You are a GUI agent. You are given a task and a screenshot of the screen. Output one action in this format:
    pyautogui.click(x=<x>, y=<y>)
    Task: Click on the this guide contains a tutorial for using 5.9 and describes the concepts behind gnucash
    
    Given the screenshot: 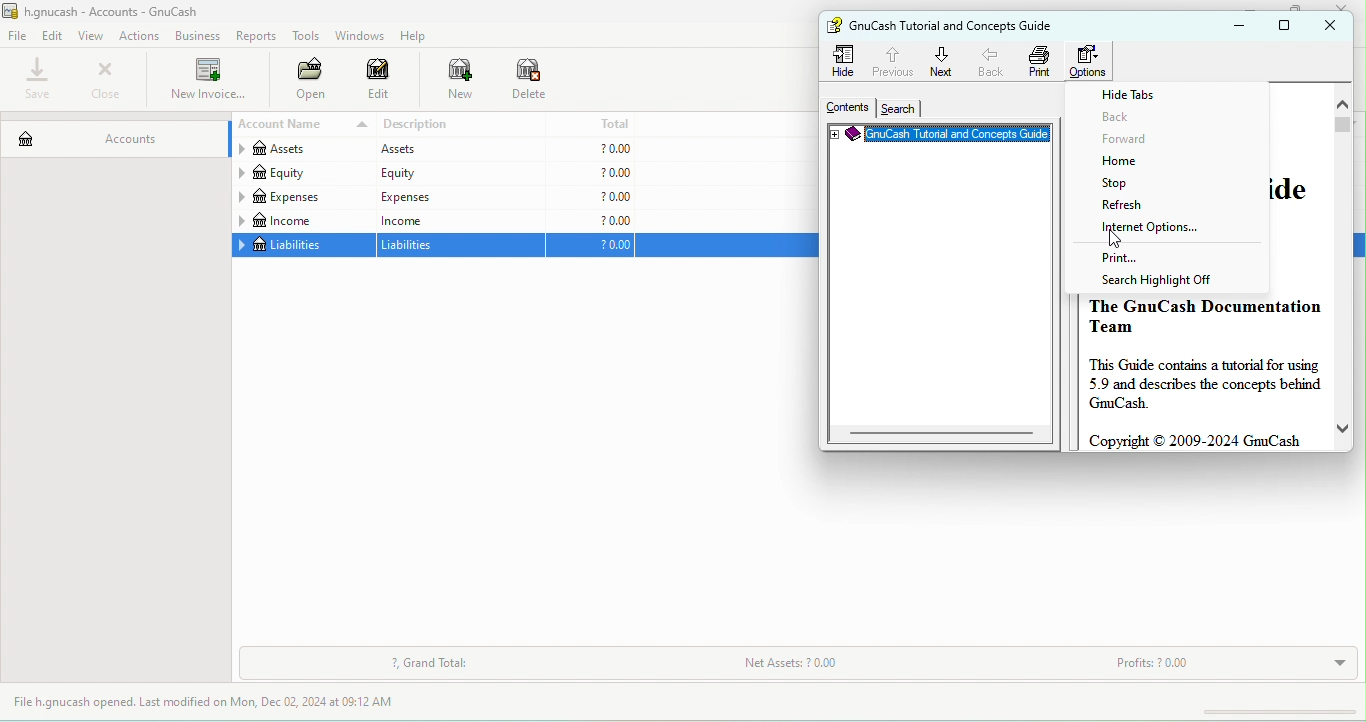 What is the action you would take?
    pyautogui.click(x=1205, y=384)
    